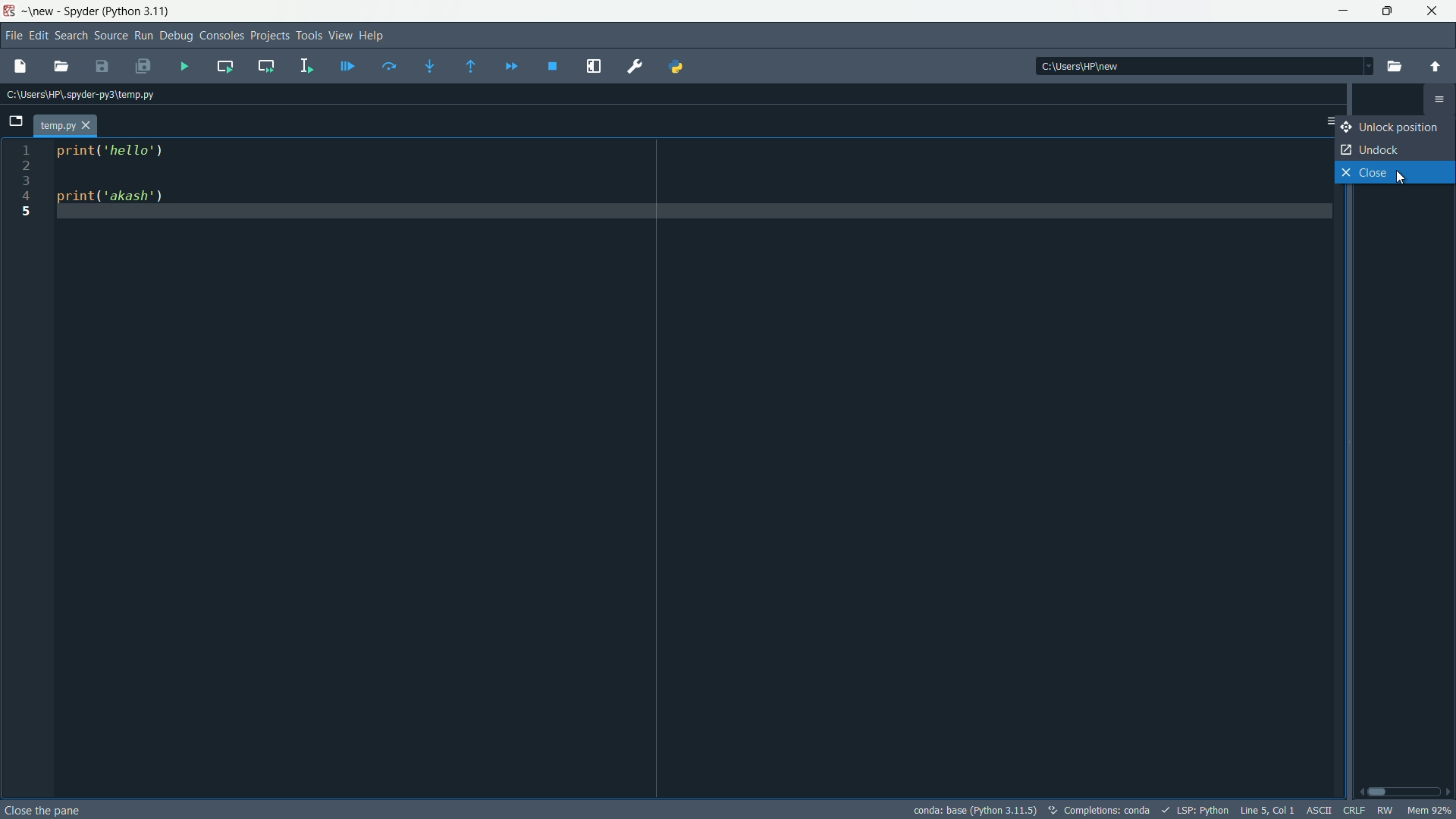 Image resolution: width=1456 pixels, height=819 pixels. I want to click on line numbers, so click(32, 469).